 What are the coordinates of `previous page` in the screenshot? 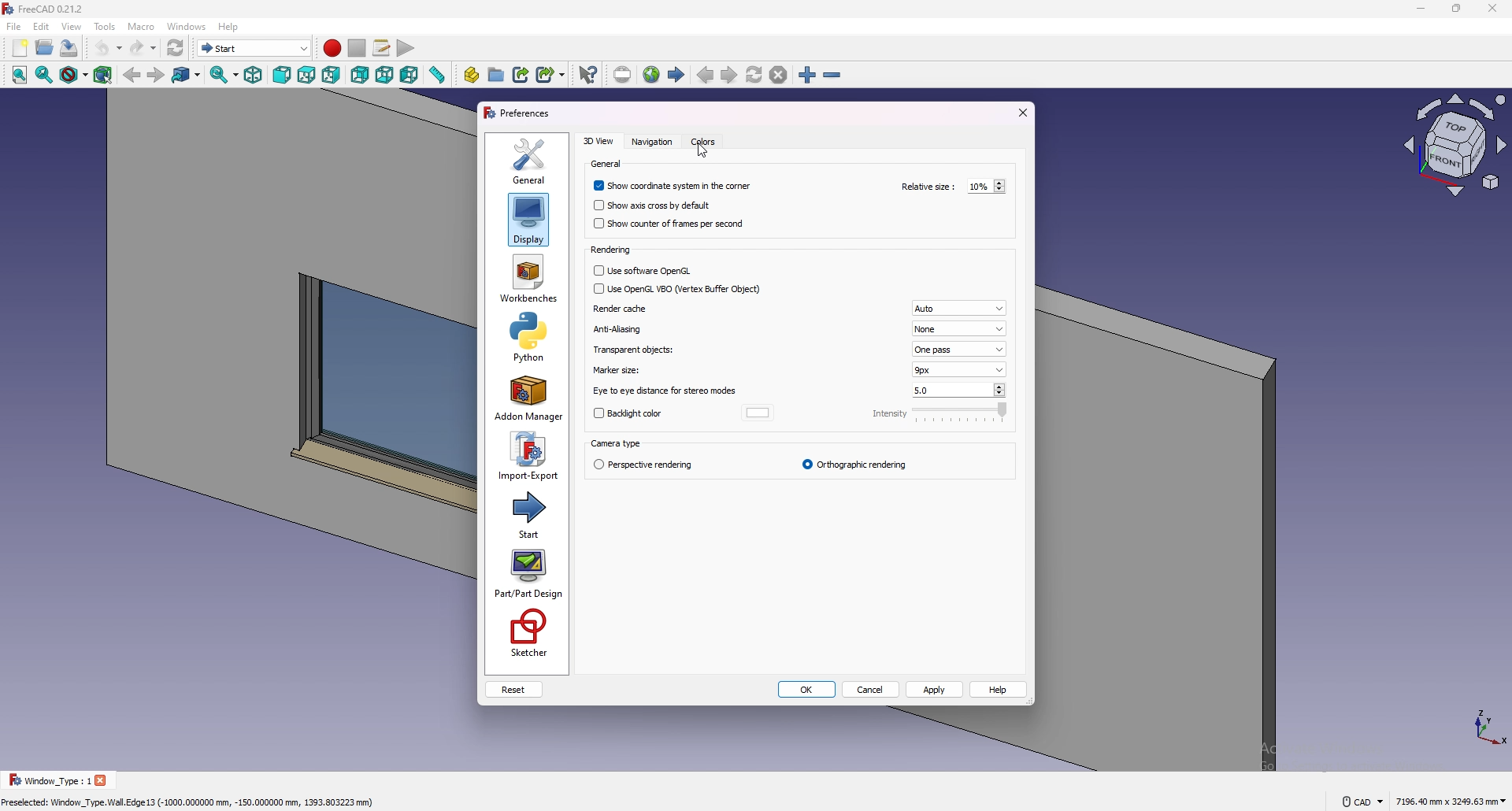 It's located at (706, 76).